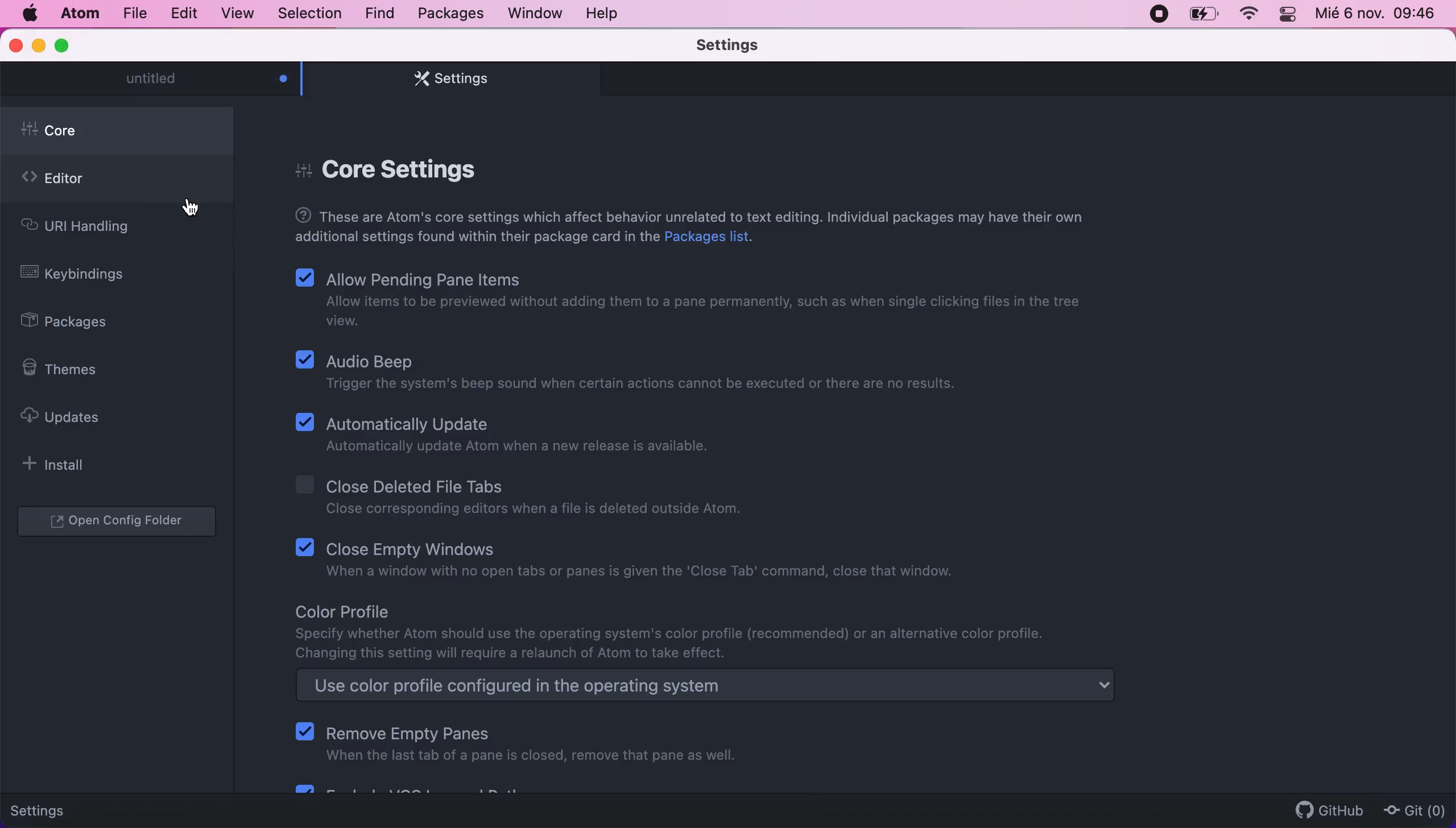 The height and width of the screenshot is (828, 1456). I want to click on cursor, so click(189, 207).